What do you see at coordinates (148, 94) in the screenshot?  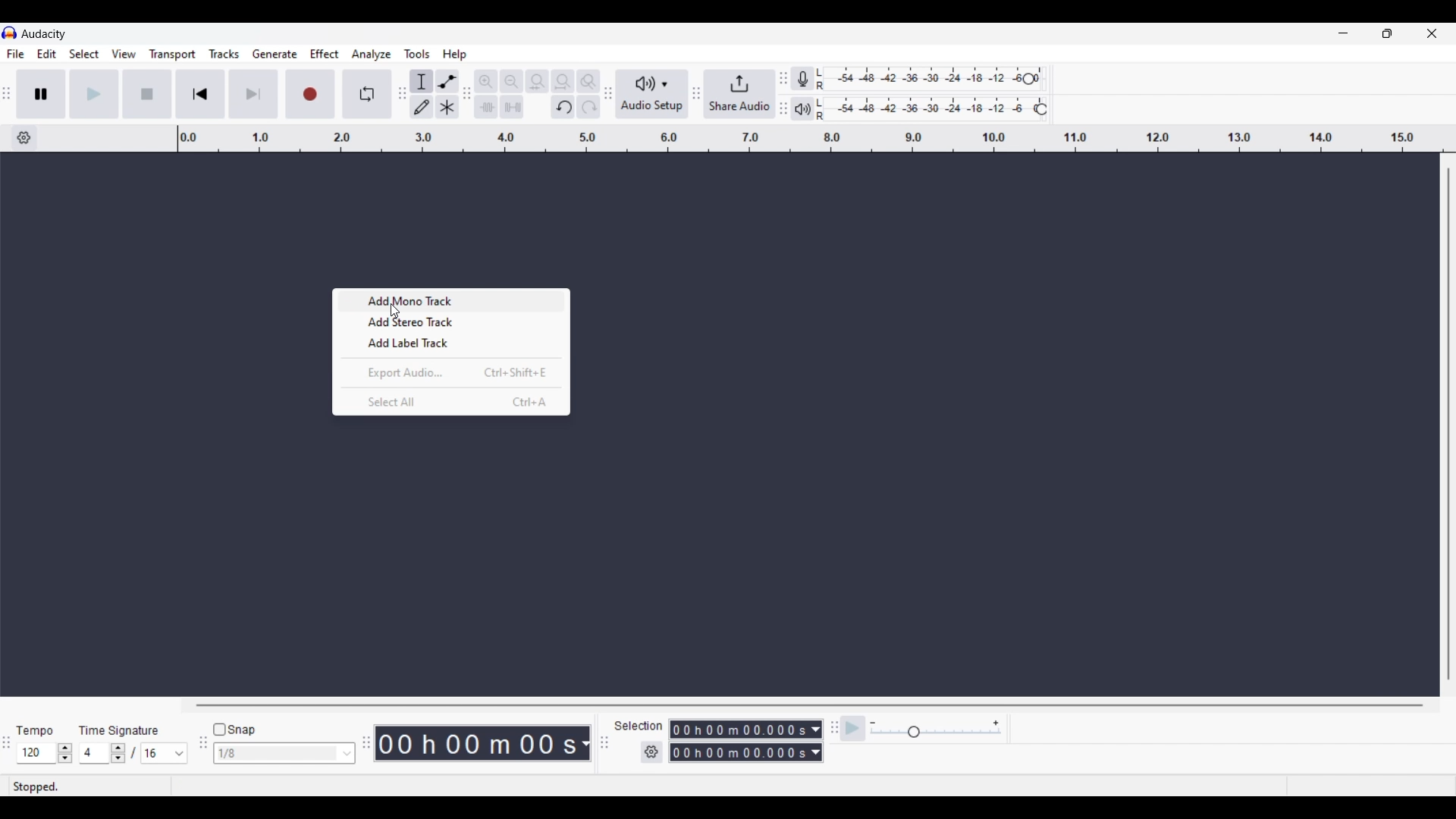 I see `Stop` at bounding box center [148, 94].